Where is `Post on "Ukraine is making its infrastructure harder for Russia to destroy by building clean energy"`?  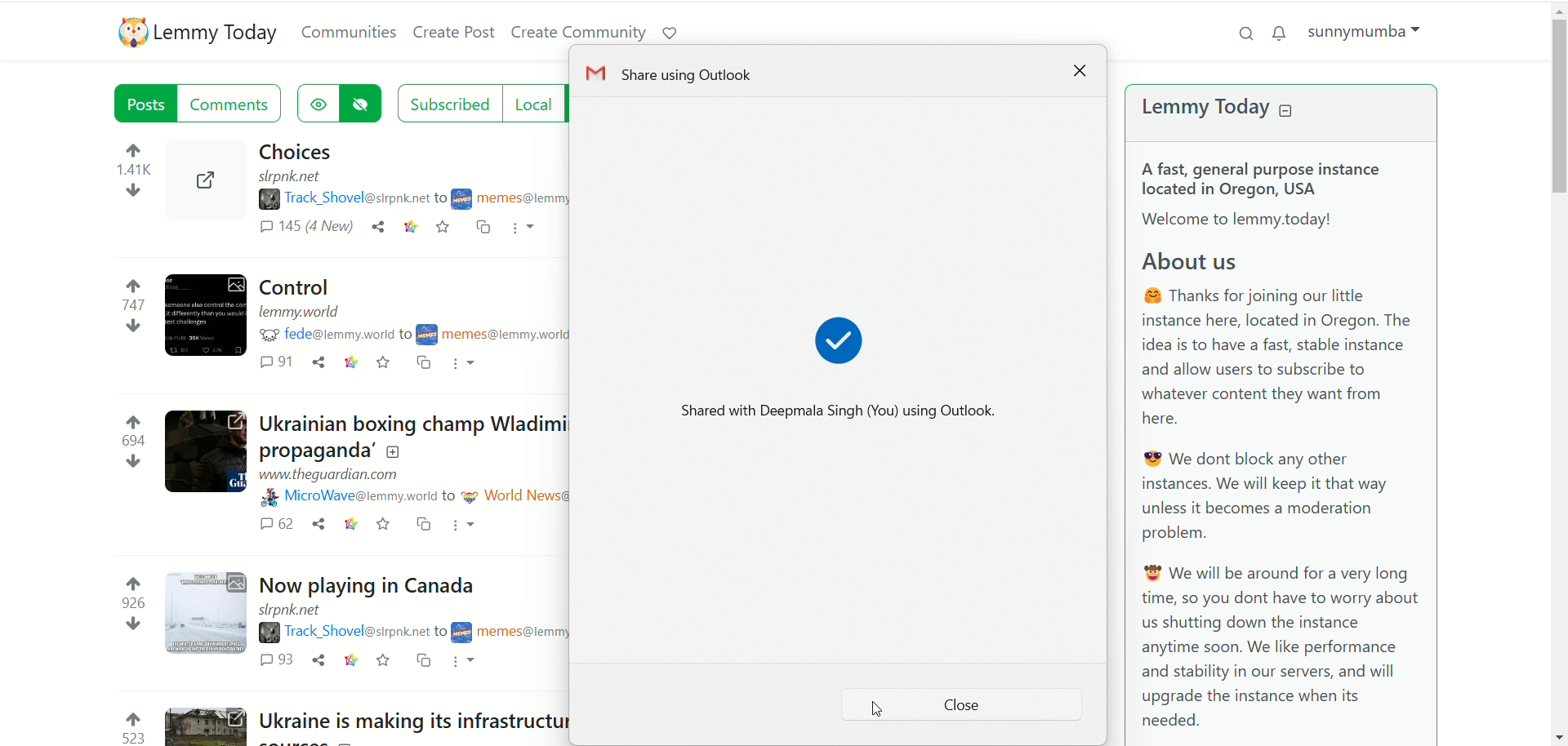 Post on "Ukraine is making its infrastructure harder for Russia to destroy by building clean energy" is located at coordinates (416, 717).